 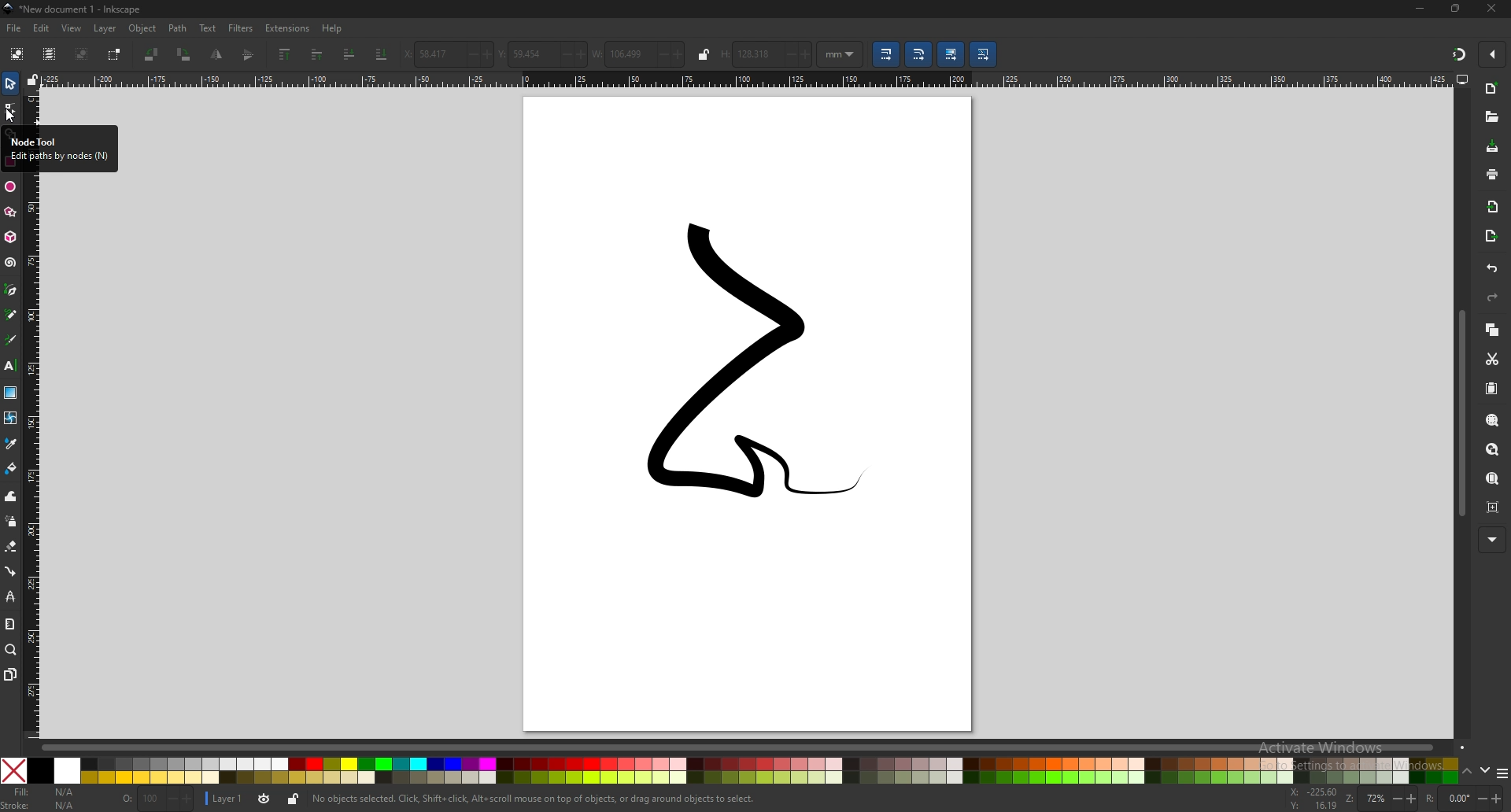 I want to click on close, so click(x=1491, y=9).